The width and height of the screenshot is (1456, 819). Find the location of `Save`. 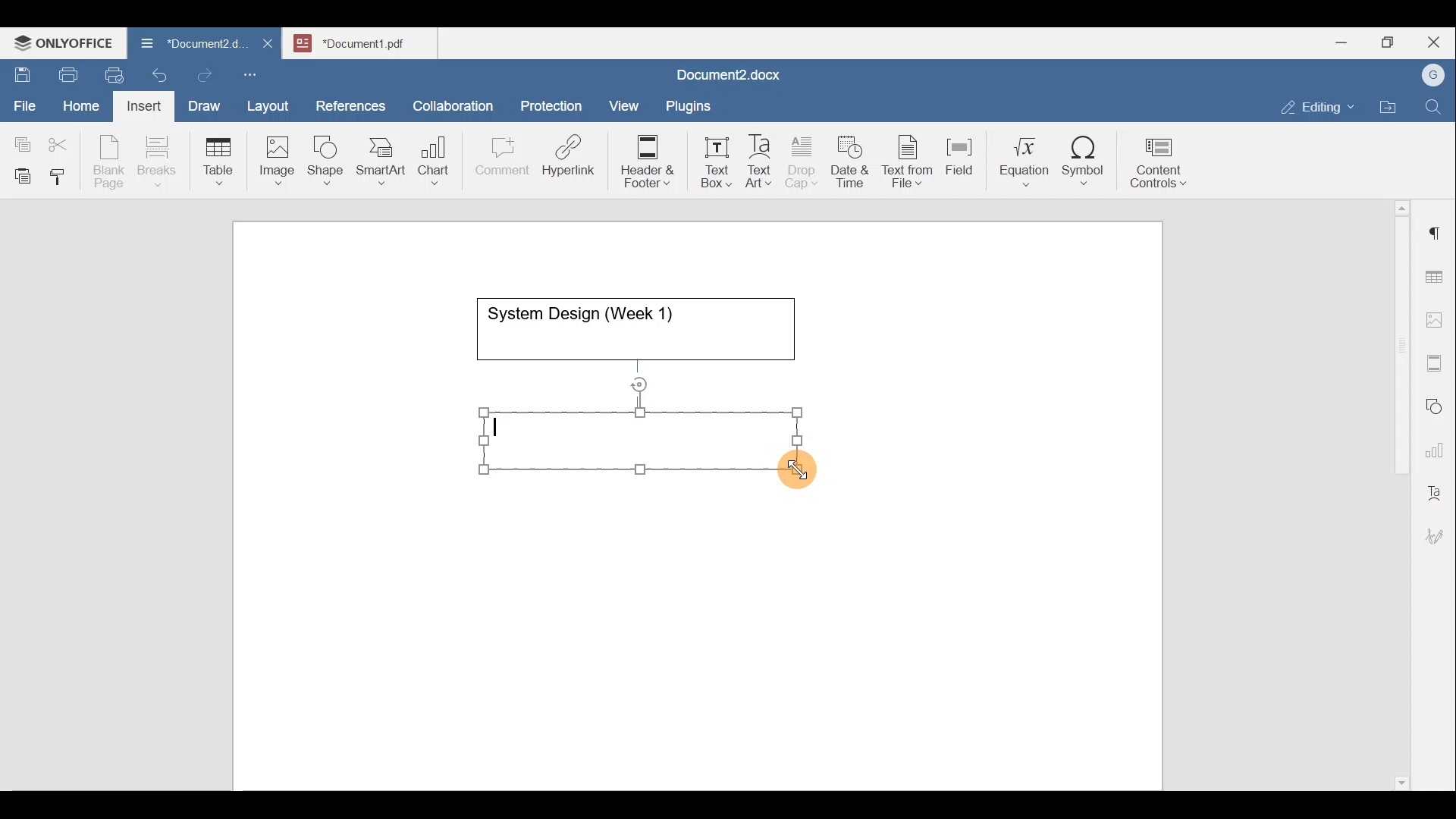

Save is located at coordinates (21, 71).